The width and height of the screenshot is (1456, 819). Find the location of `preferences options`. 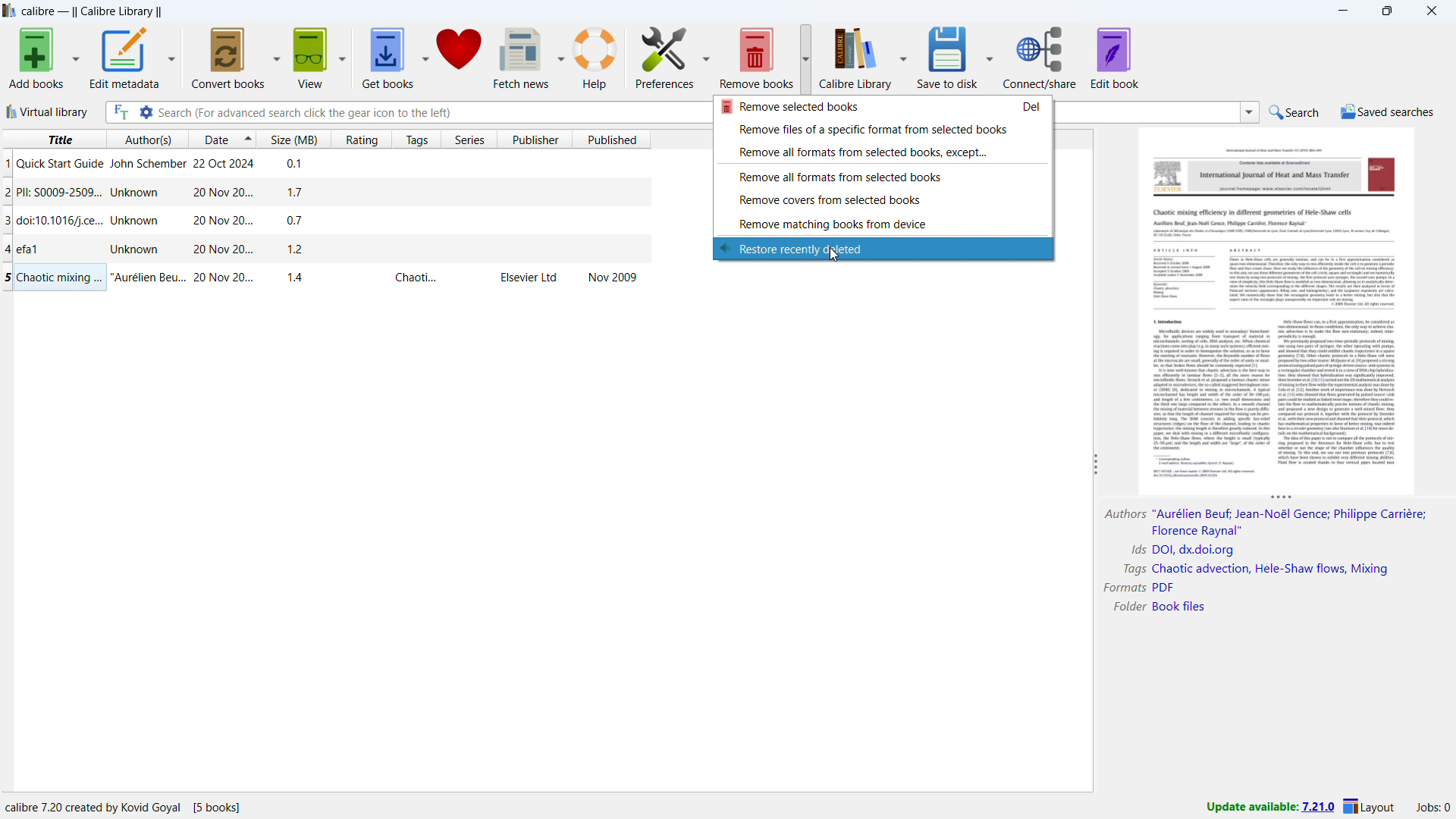

preferences options is located at coordinates (706, 58).